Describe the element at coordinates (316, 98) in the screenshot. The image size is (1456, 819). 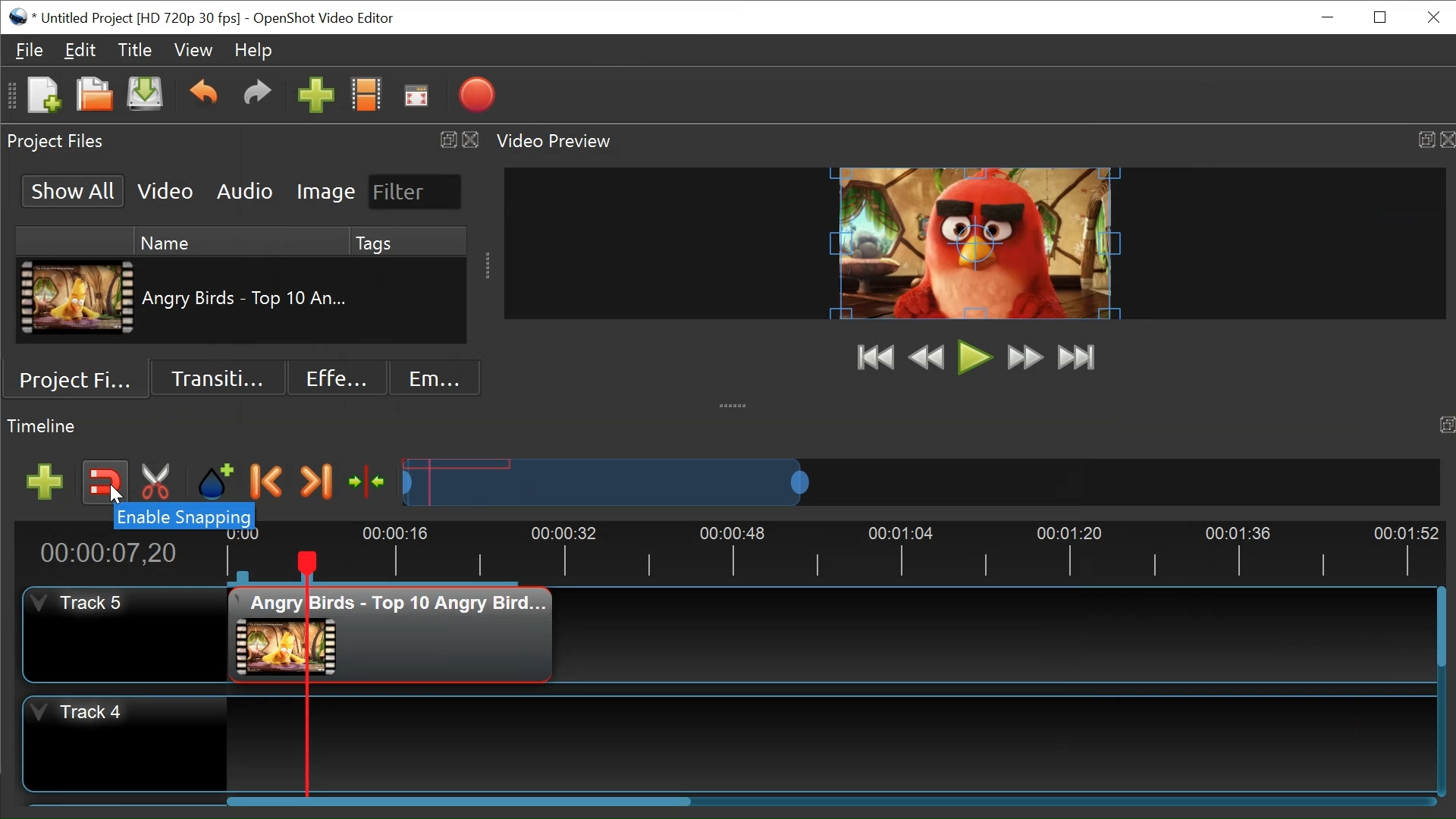
I see `add` at that location.